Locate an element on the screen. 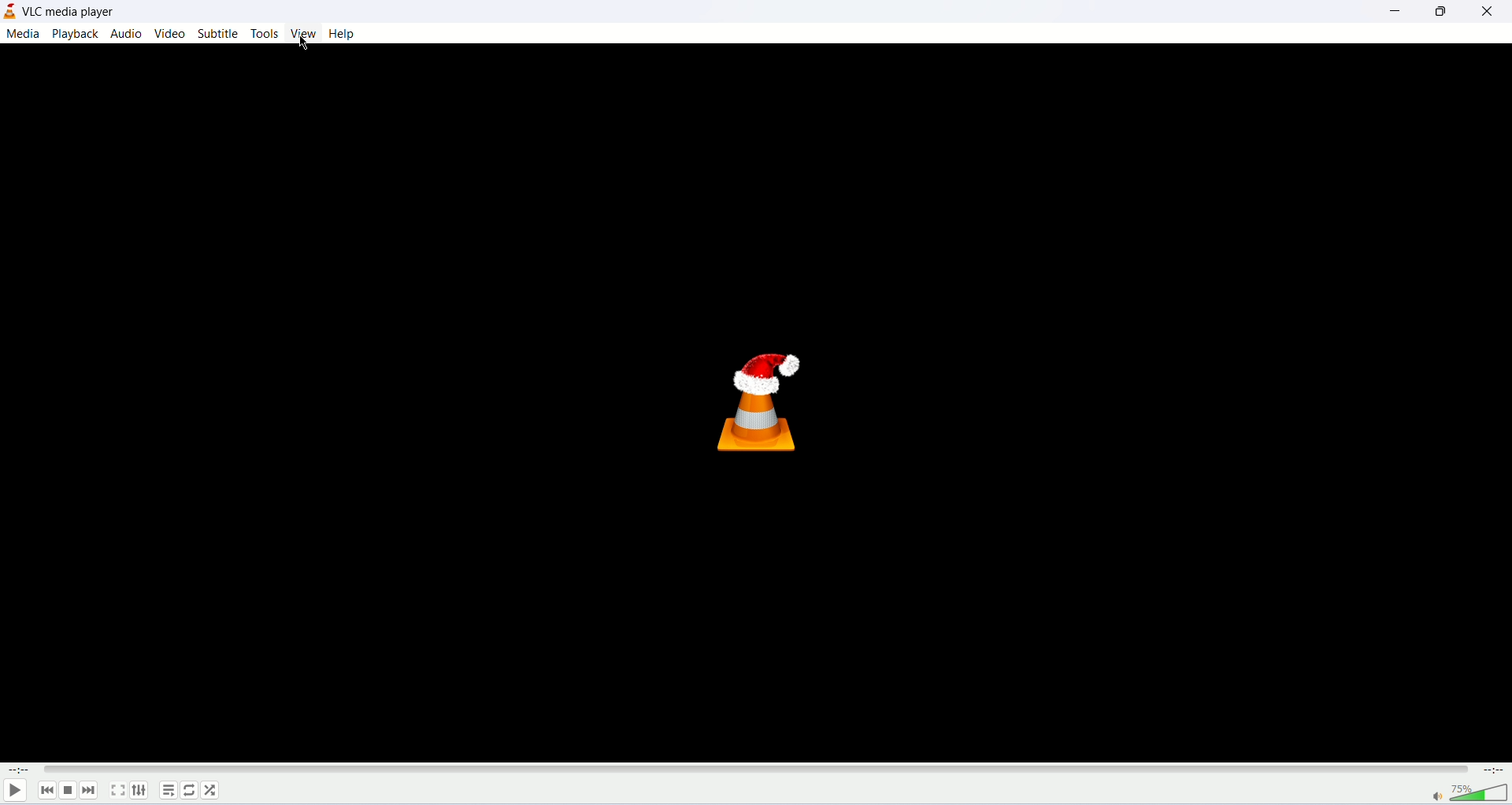 This screenshot has height=805, width=1512. tools is located at coordinates (266, 34).